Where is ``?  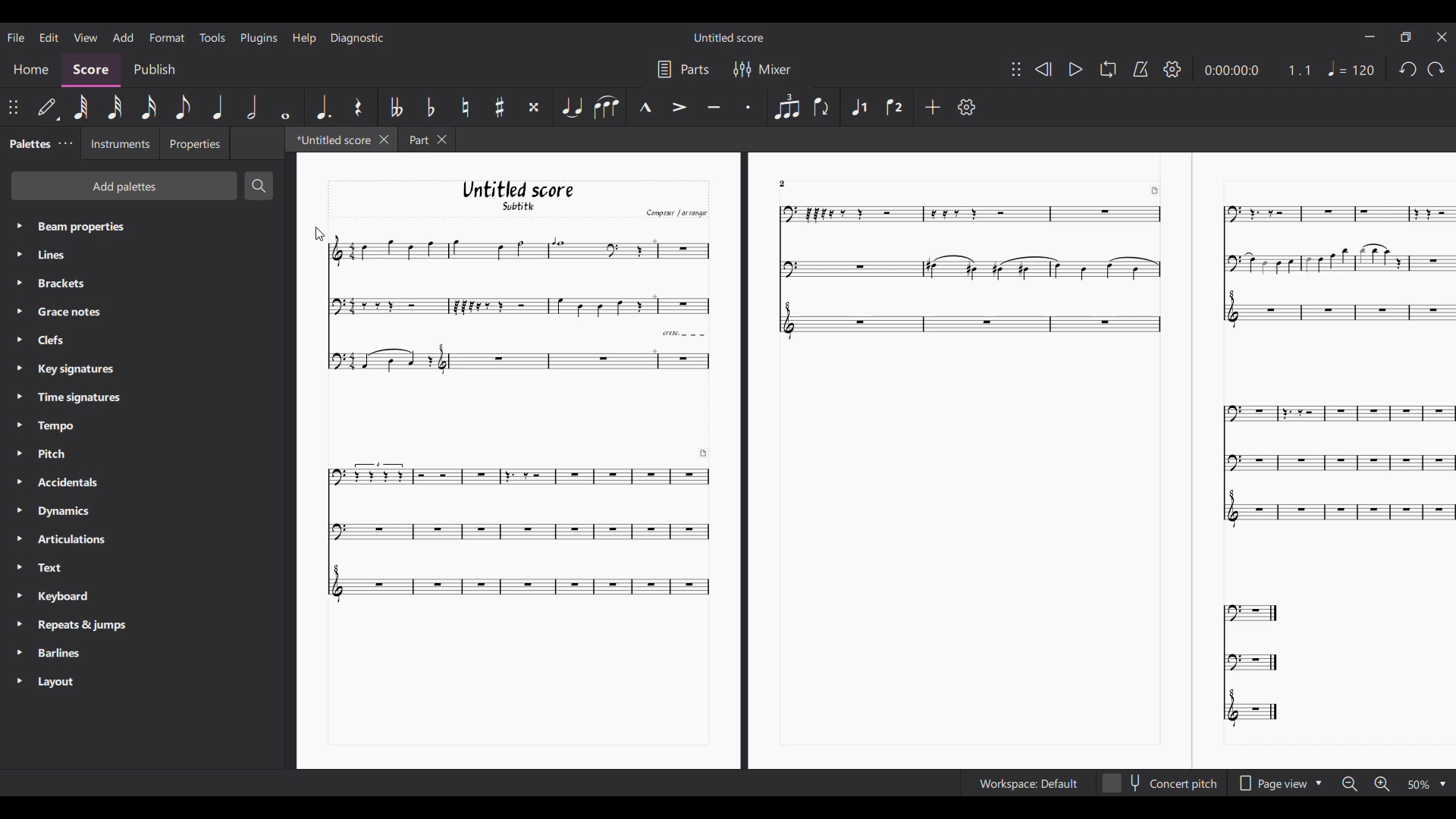
 is located at coordinates (522, 531).